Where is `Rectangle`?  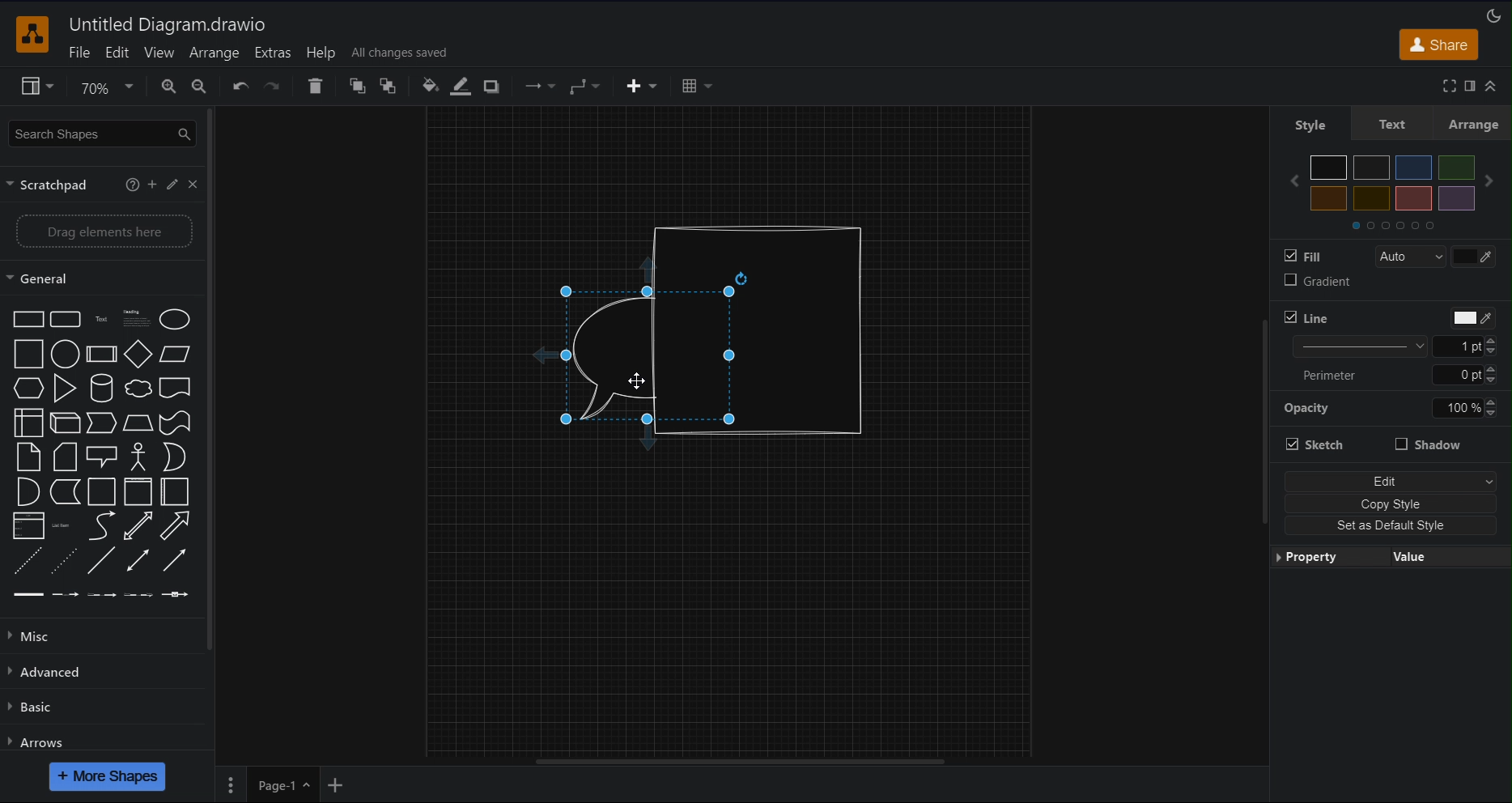
Rectangle is located at coordinates (28, 319).